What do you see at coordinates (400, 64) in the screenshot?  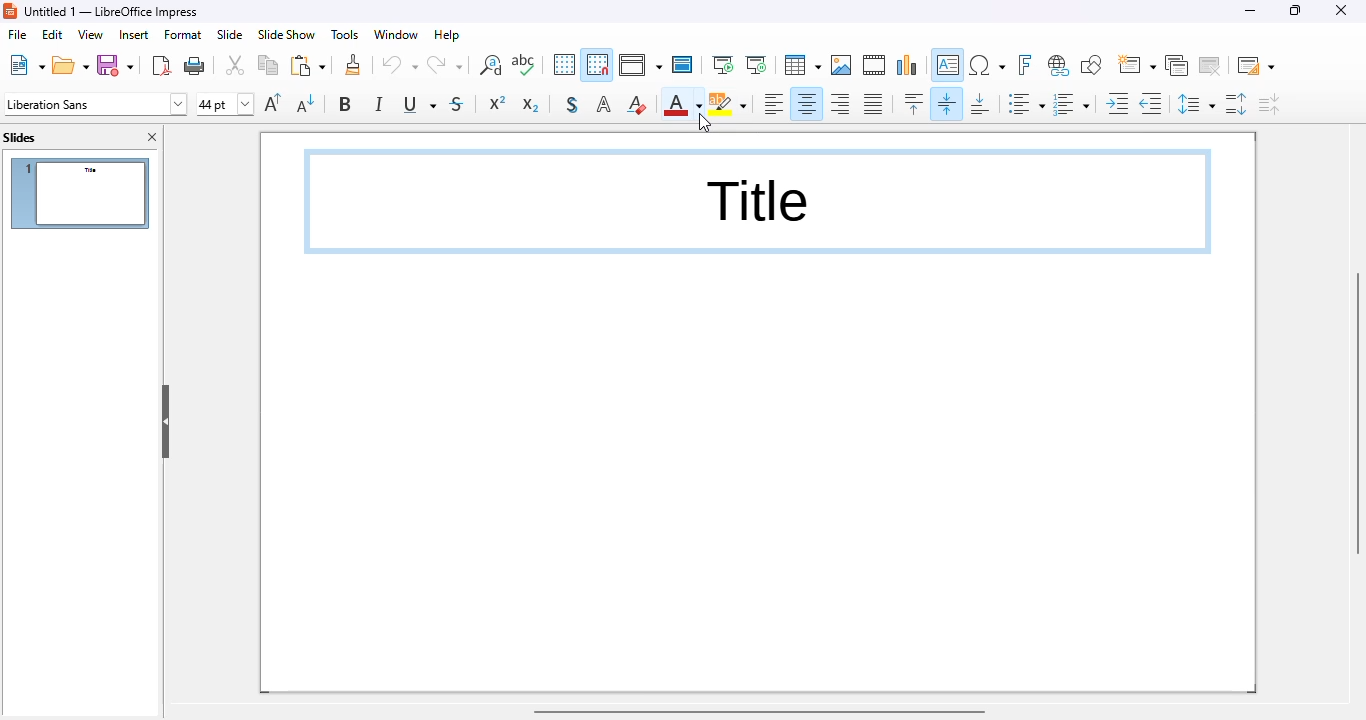 I see `undo` at bounding box center [400, 64].